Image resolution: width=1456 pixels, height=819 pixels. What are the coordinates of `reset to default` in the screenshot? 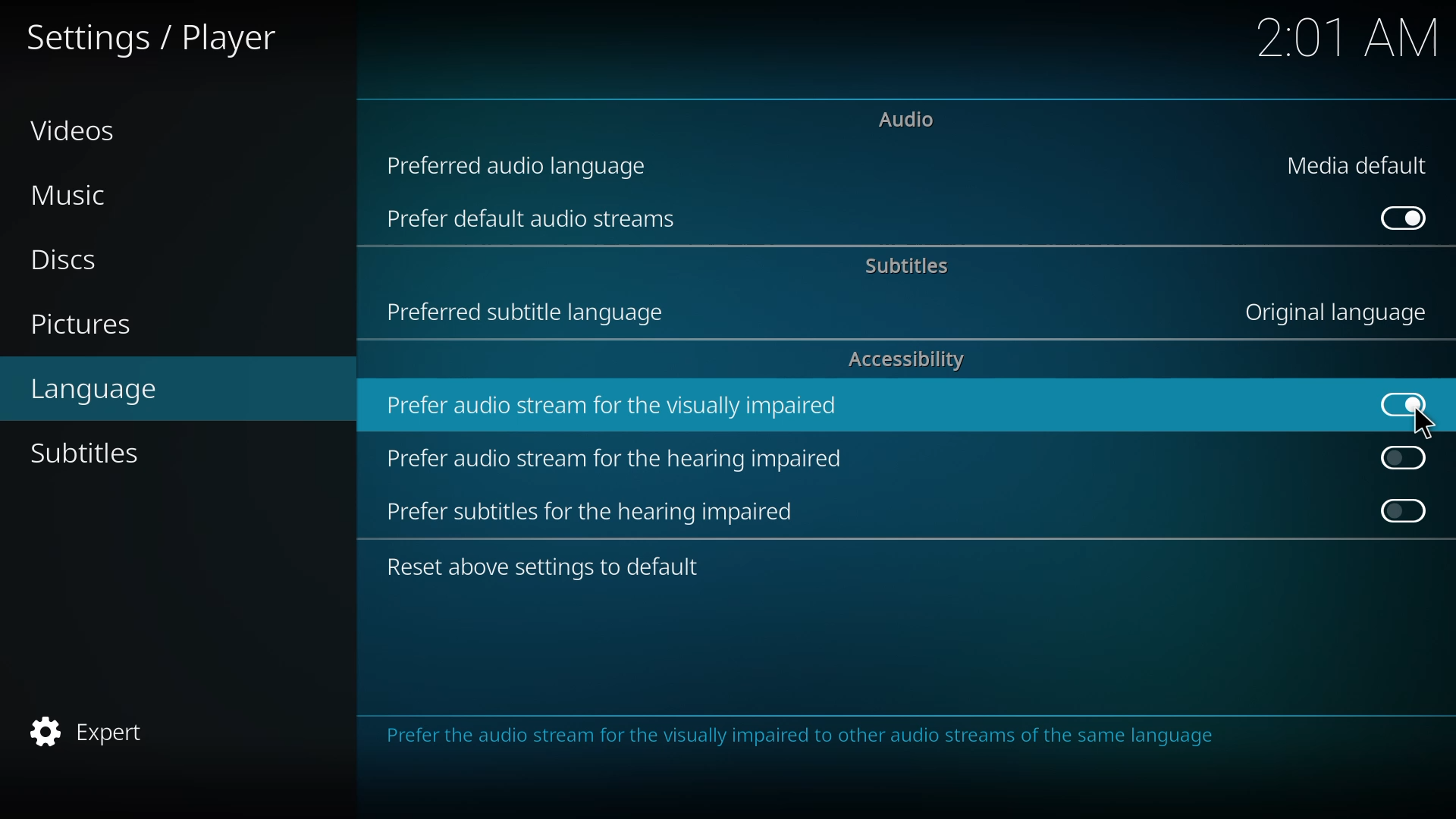 It's located at (544, 567).